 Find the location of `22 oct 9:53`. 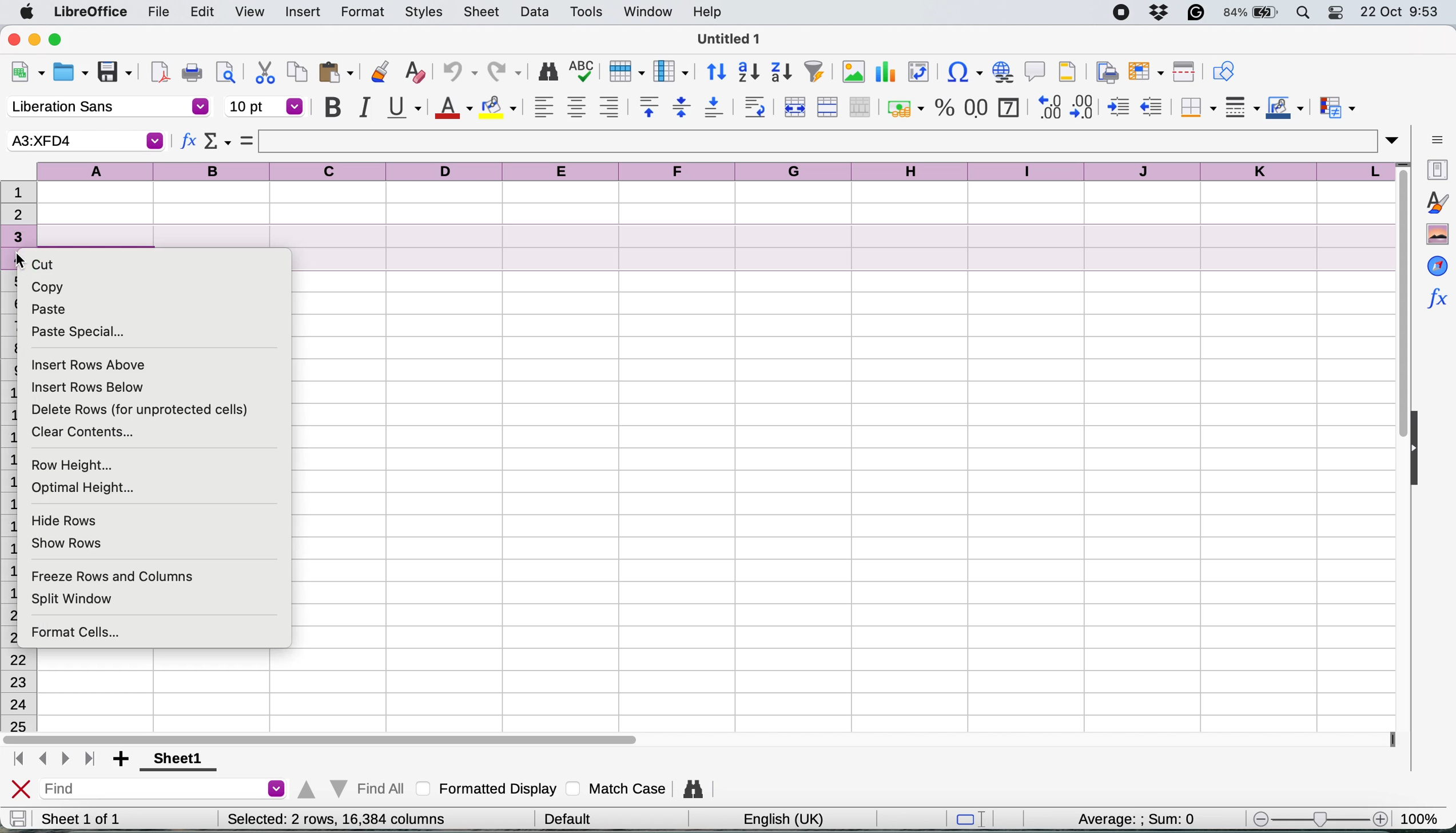

22 oct 9:53 is located at coordinates (1398, 13).